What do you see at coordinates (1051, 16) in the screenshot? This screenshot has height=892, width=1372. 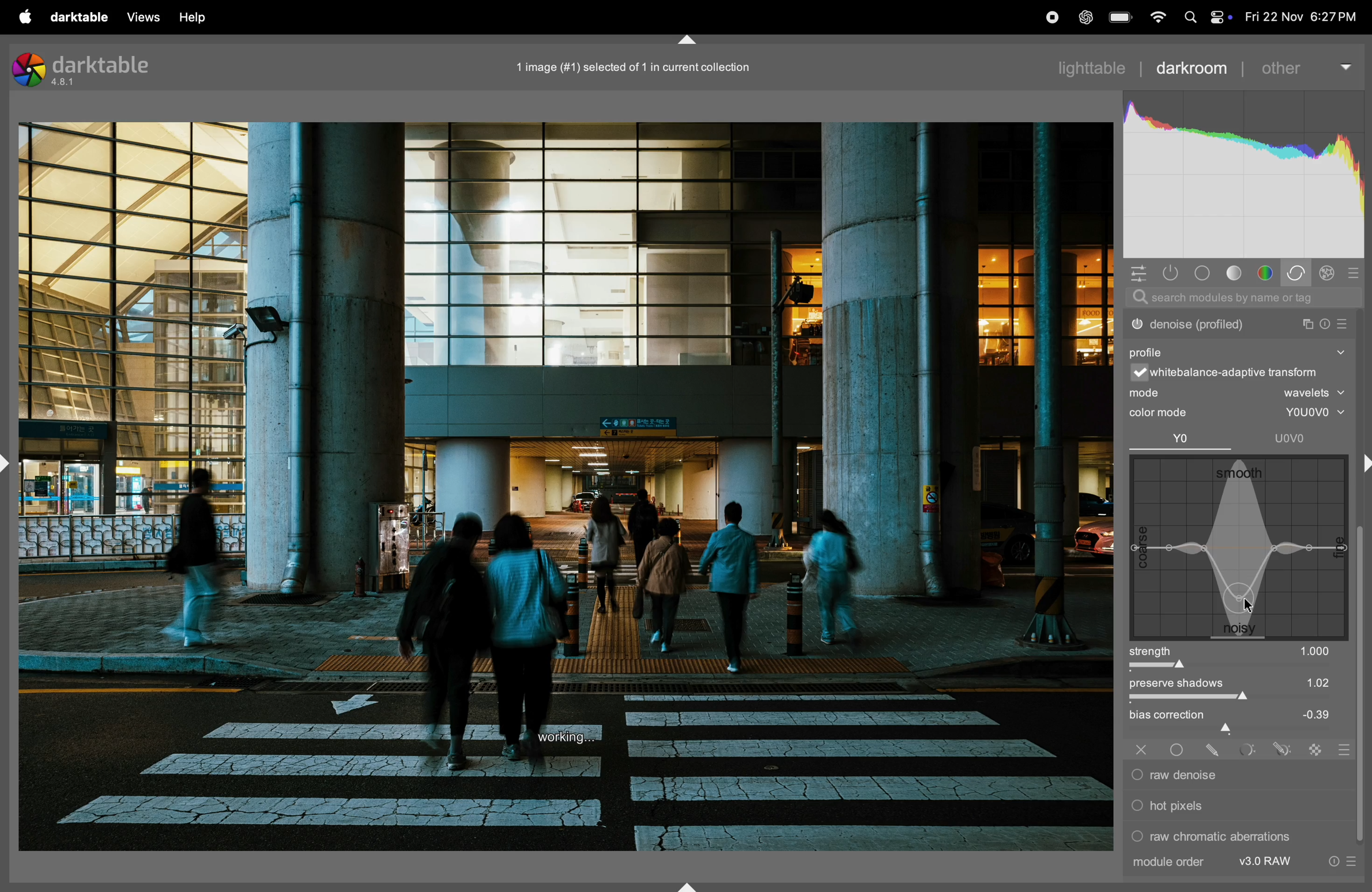 I see `record` at bounding box center [1051, 16].